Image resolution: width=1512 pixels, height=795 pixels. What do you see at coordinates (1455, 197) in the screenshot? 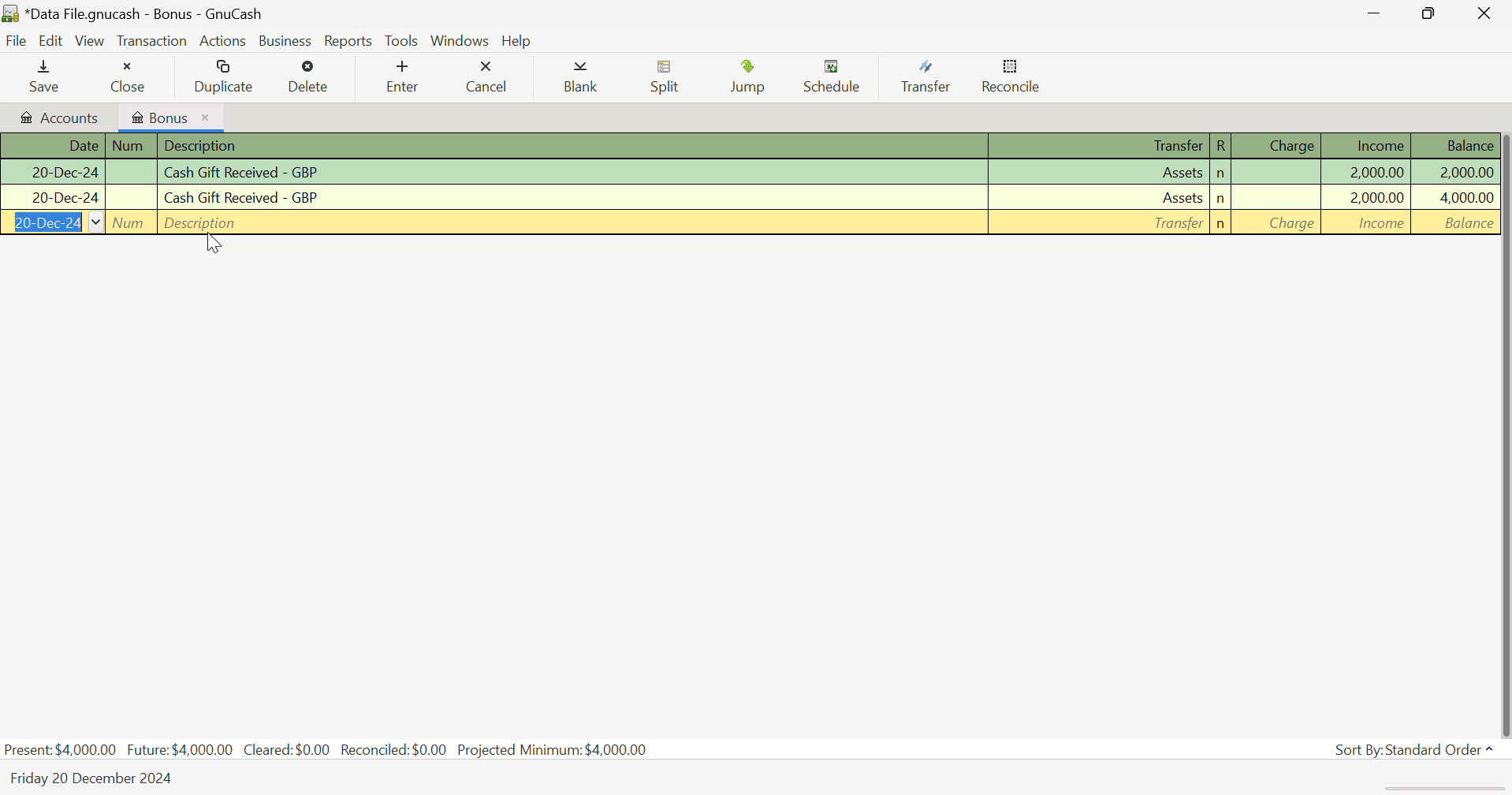
I see `Balance` at bounding box center [1455, 197].